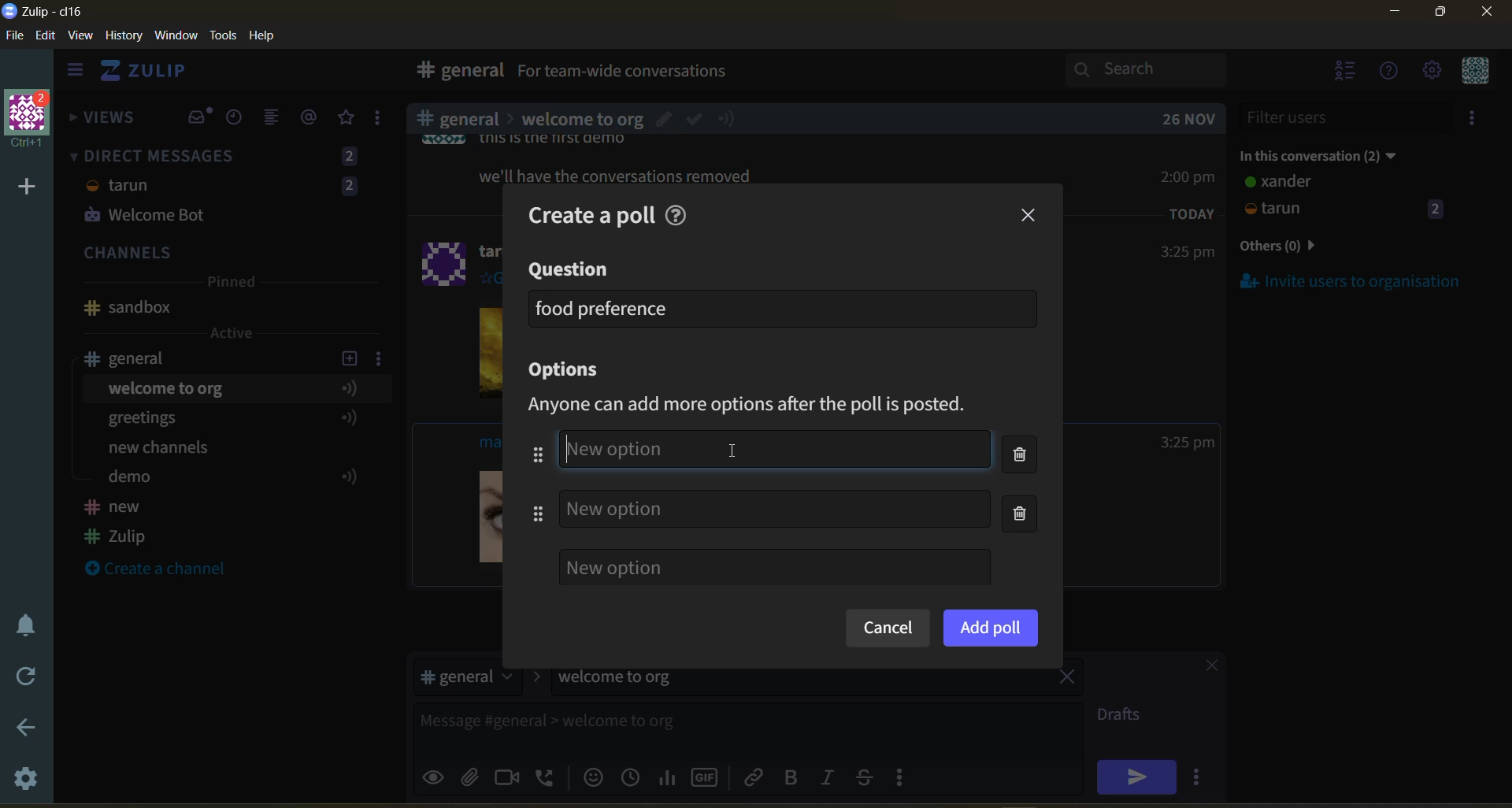  Describe the element at coordinates (1190, 176) in the screenshot. I see `2:00 pm` at that location.